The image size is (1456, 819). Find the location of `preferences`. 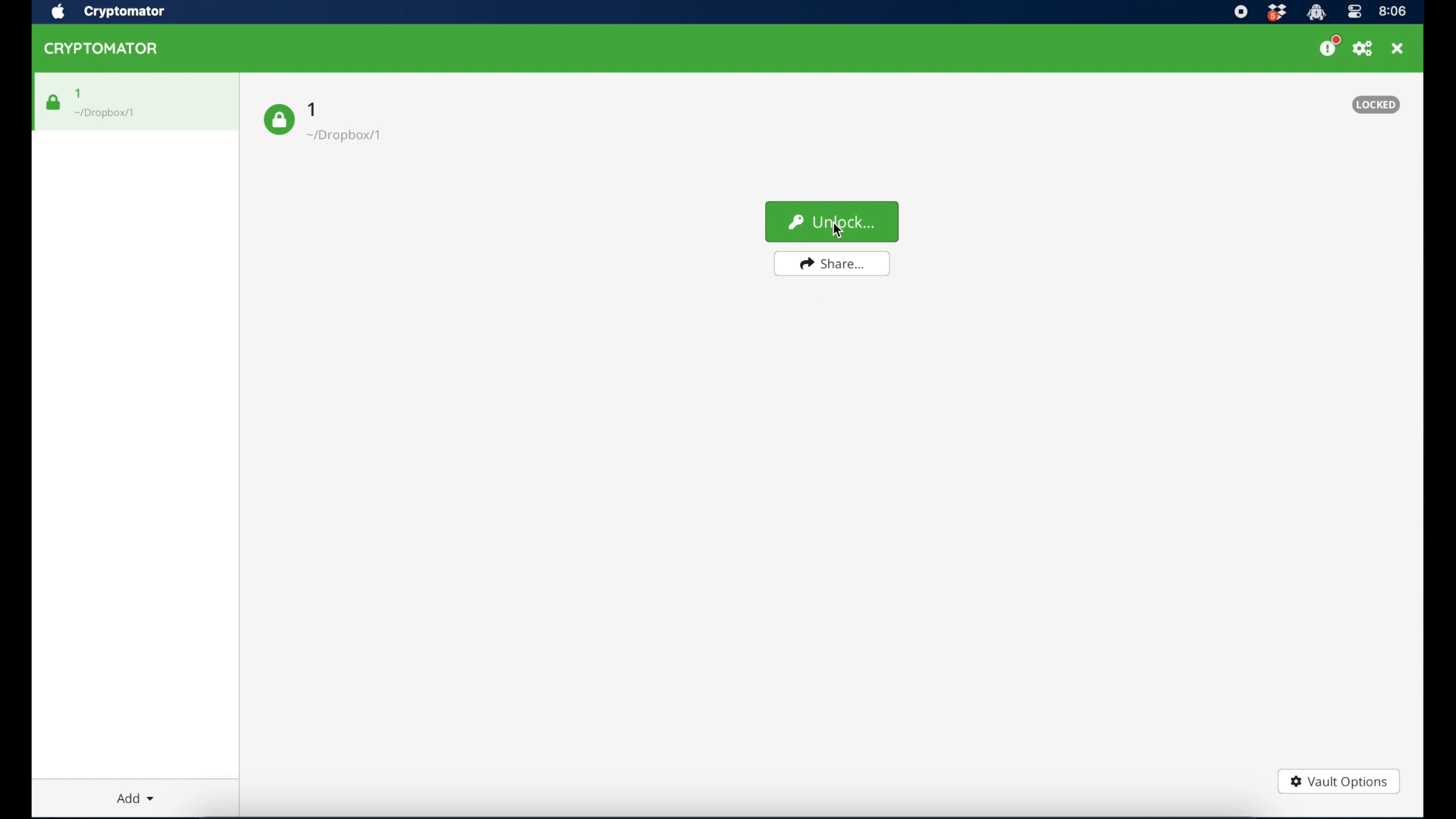

preferences is located at coordinates (1363, 49).